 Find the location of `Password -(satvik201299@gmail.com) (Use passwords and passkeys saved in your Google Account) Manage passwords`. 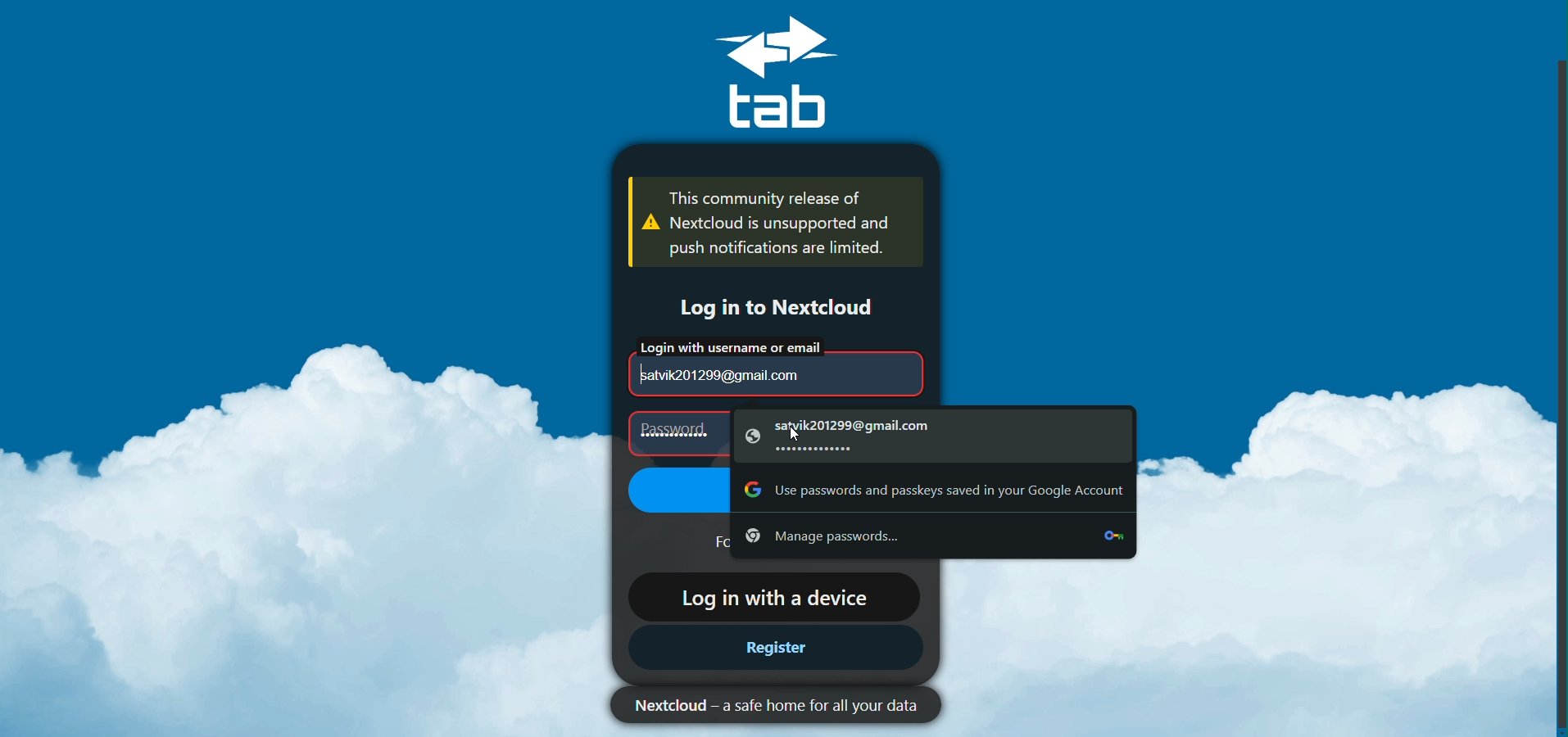

Password -(satvik201299@gmail.com) (Use passwords and passkeys saved in your Google Account) Manage passwords is located at coordinates (874, 485).